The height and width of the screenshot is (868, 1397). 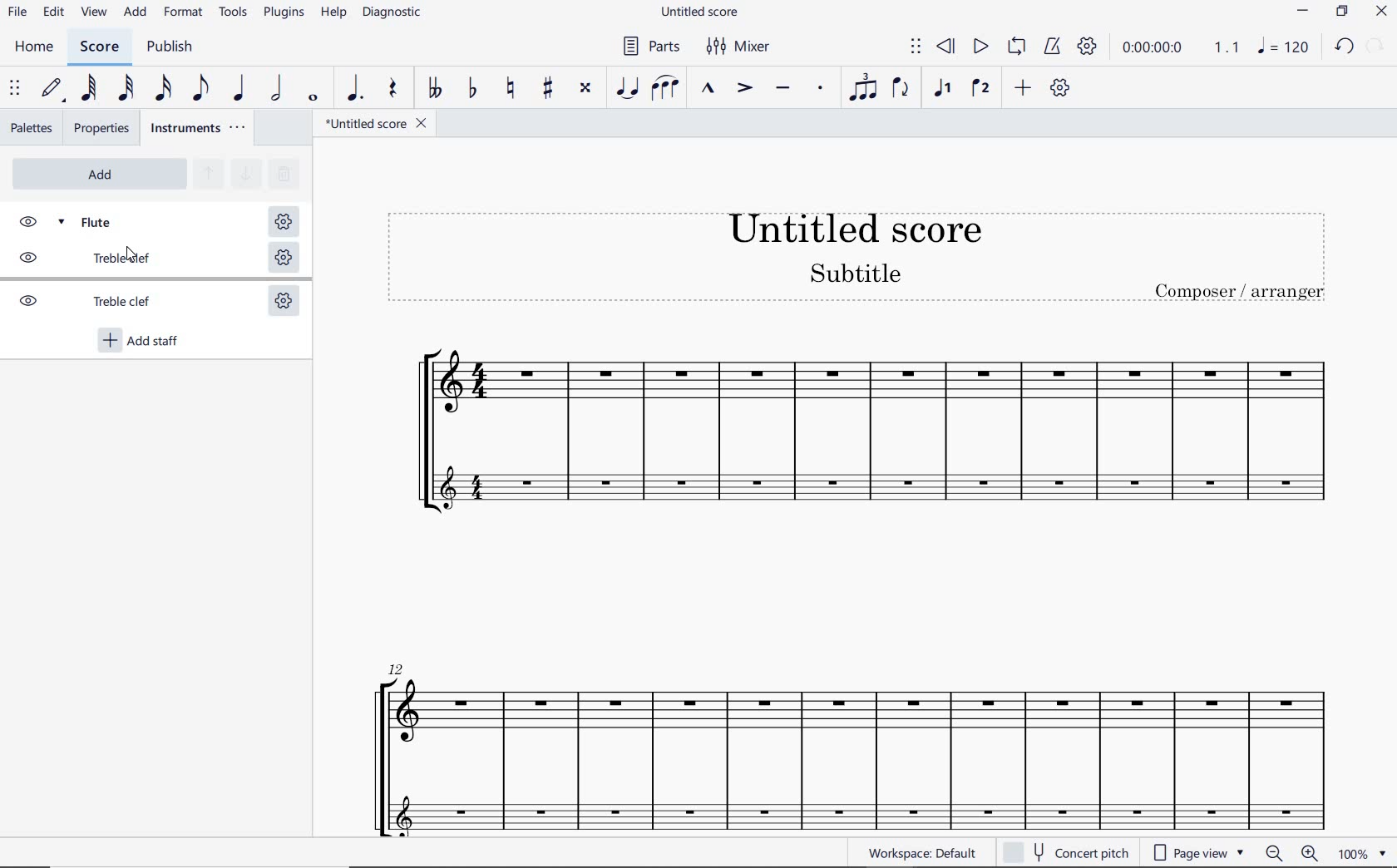 I want to click on restore down, so click(x=1341, y=12).